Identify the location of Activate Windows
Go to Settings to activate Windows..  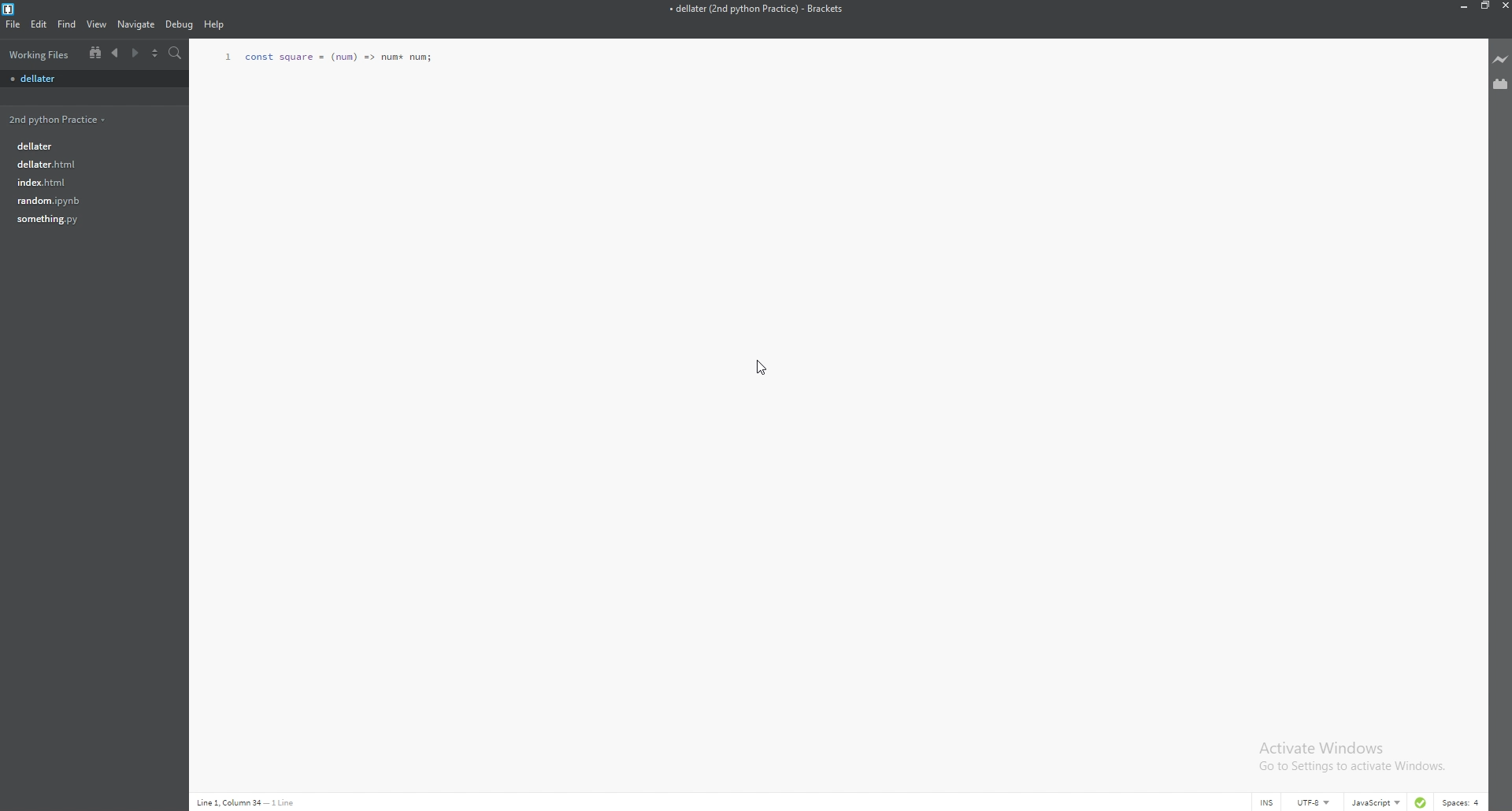
(1350, 756).